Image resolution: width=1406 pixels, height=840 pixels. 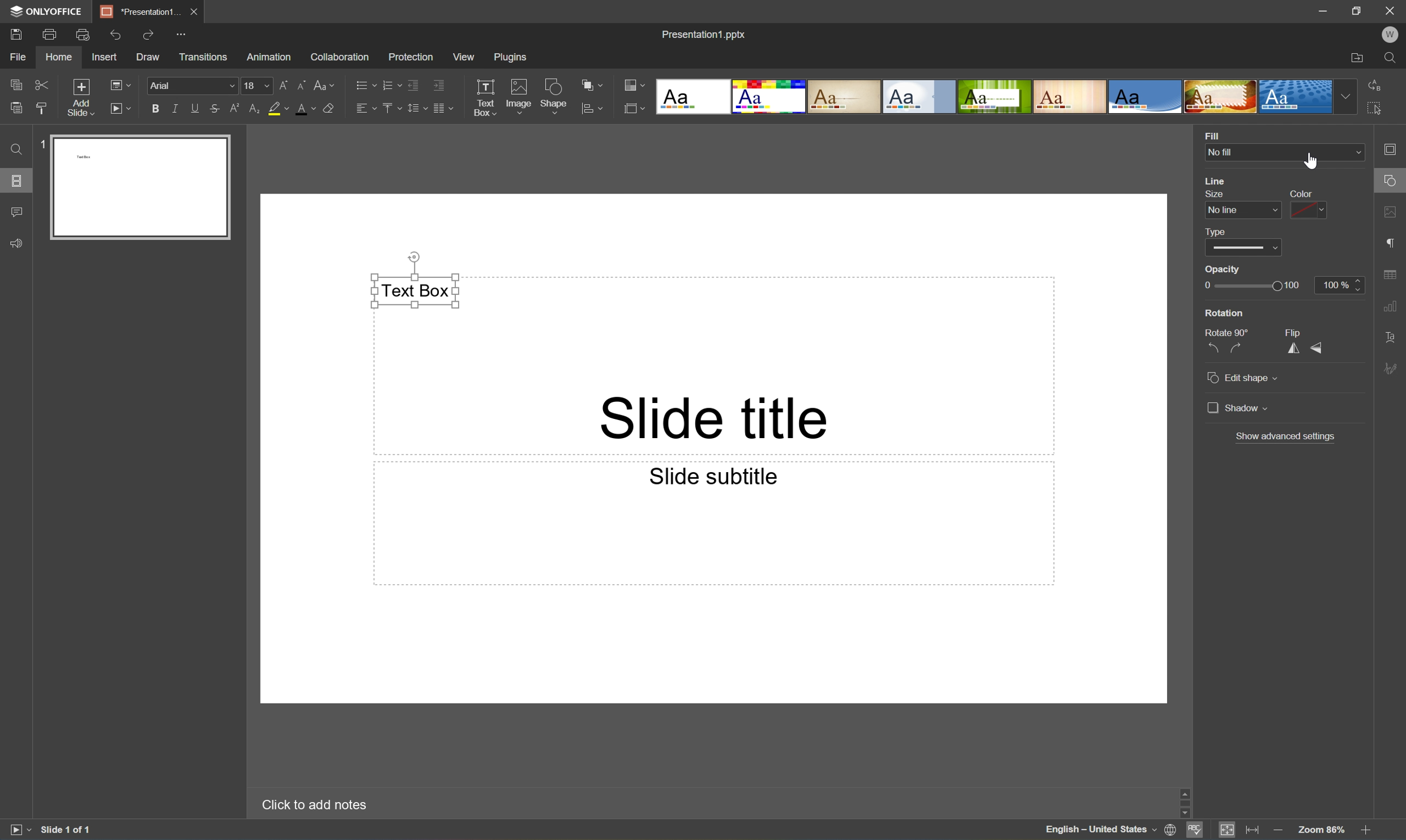 I want to click on Collaboration, so click(x=339, y=57).